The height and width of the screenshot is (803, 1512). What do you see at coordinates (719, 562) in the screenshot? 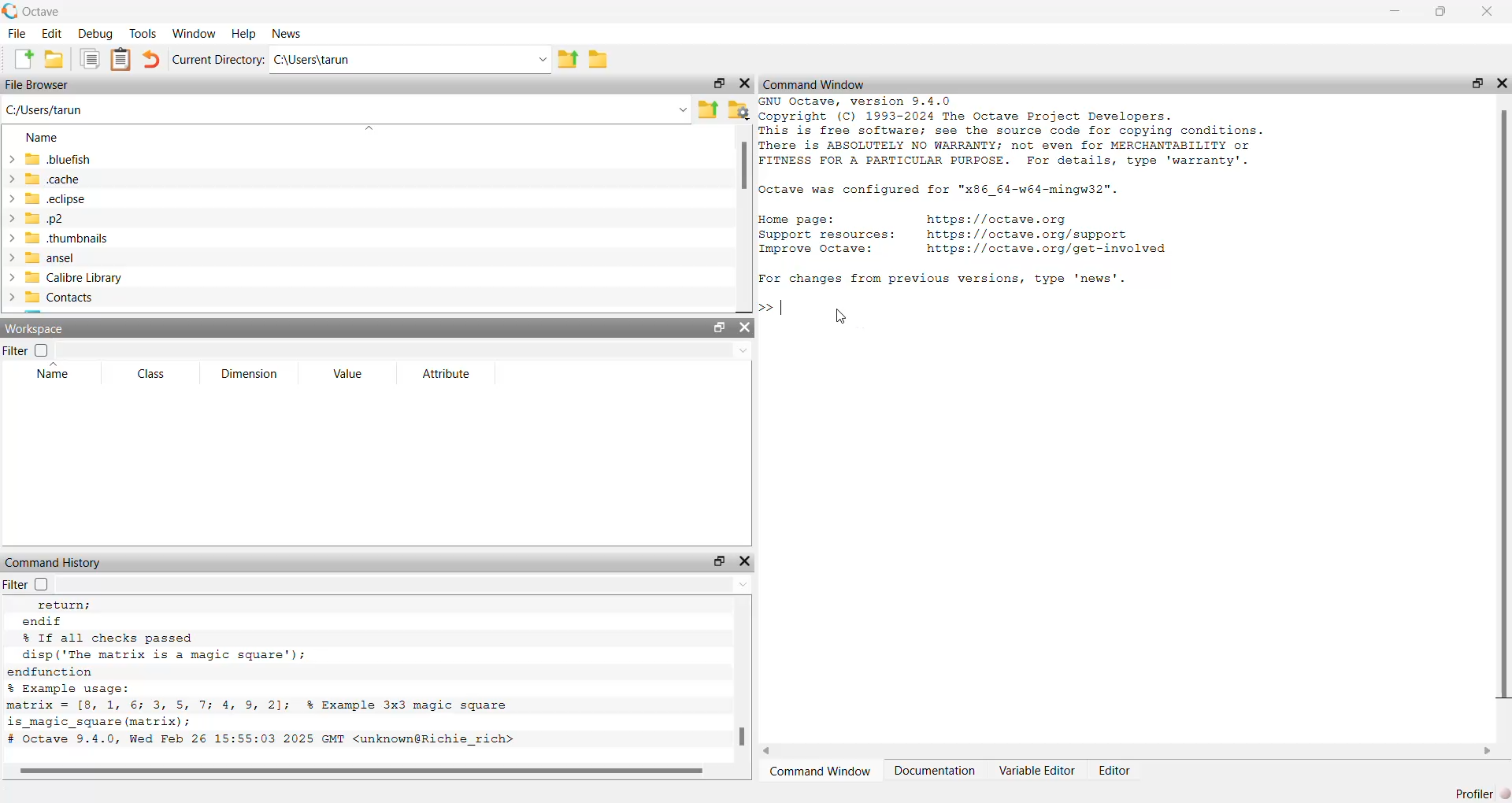
I see `maximize` at bounding box center [719, 562].